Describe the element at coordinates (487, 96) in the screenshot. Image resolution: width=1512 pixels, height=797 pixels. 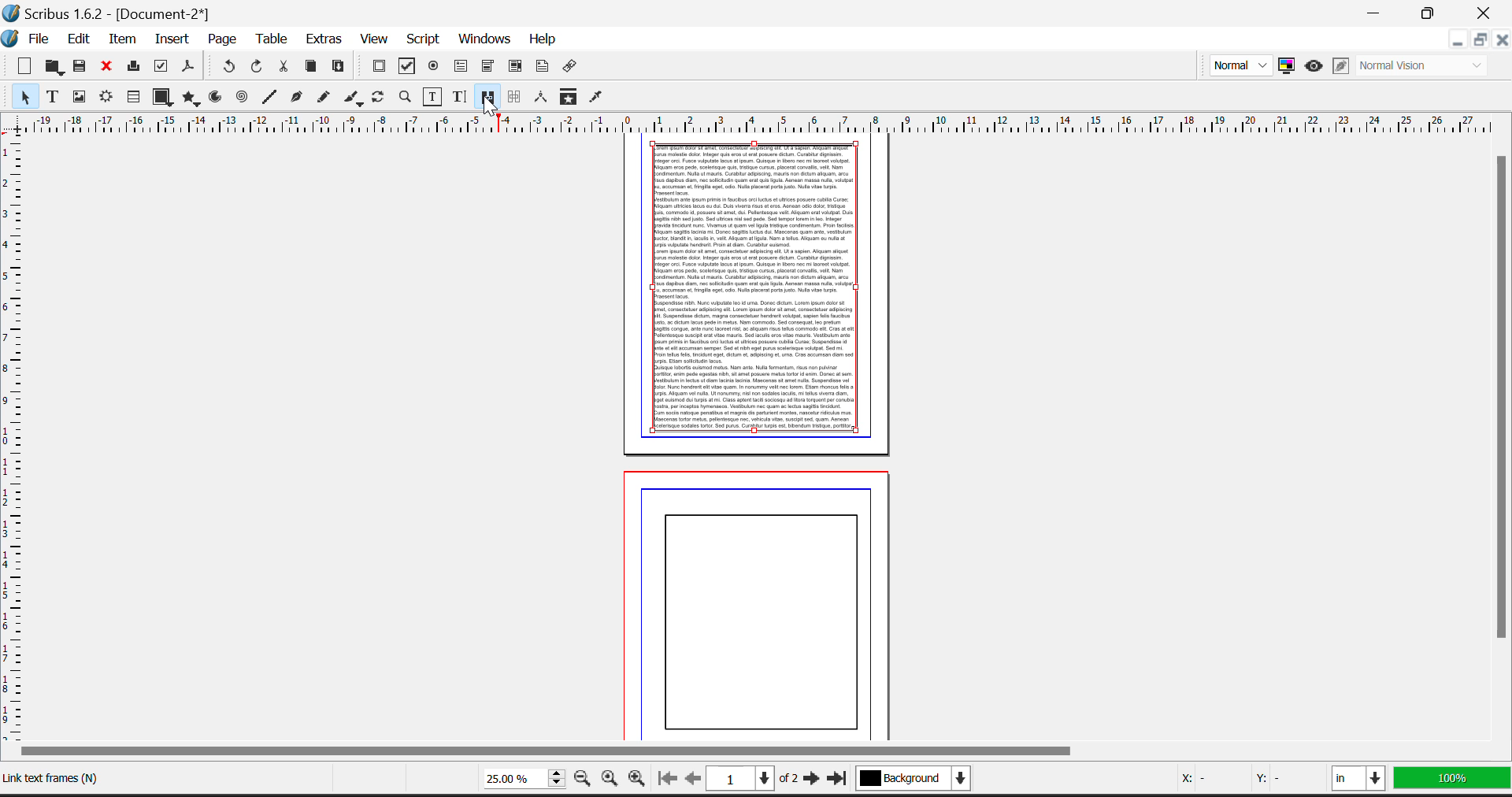
I see `Link Text Frames` at that location.